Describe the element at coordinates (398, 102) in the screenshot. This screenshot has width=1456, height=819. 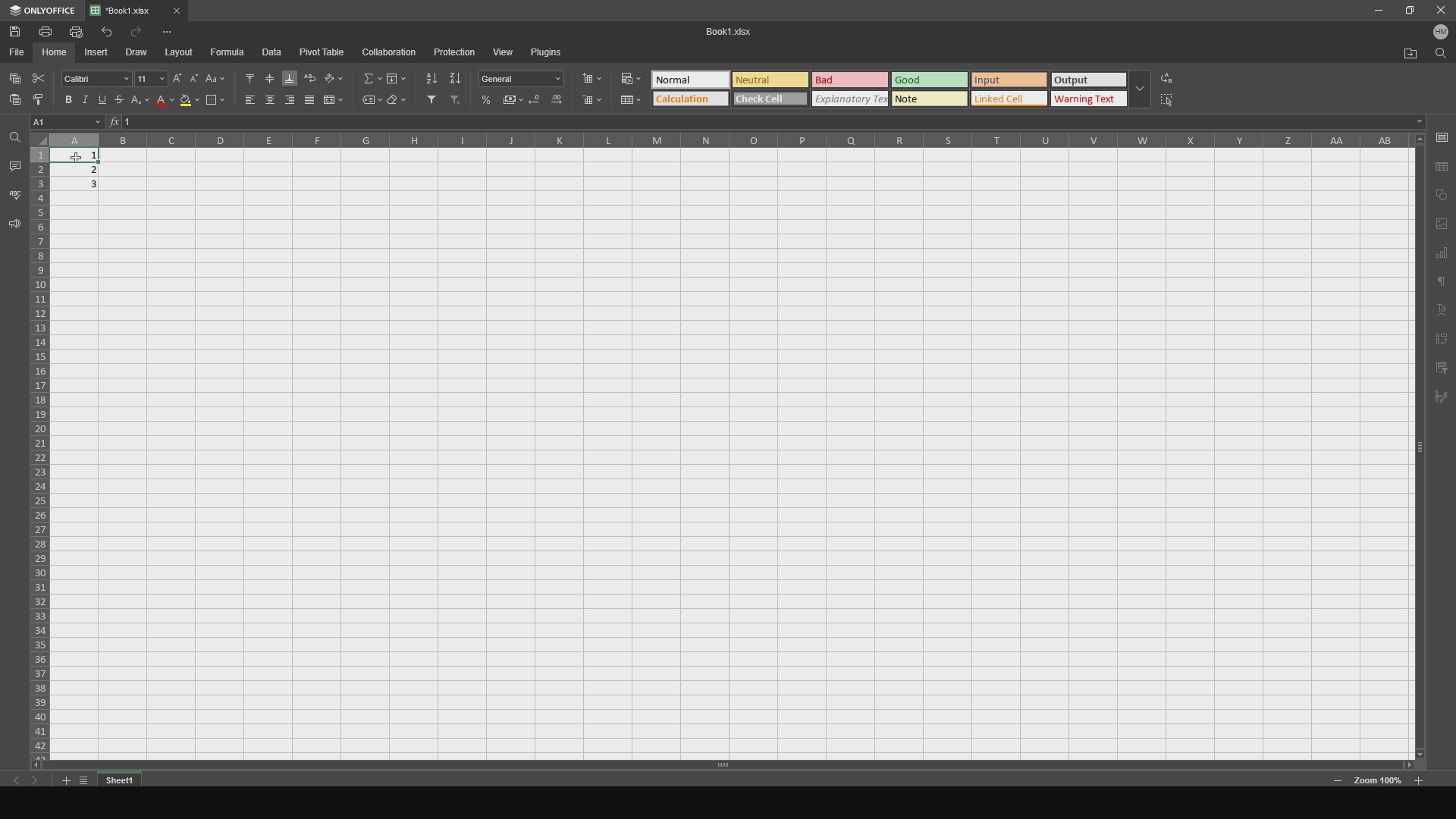
I see `clear` at that location.